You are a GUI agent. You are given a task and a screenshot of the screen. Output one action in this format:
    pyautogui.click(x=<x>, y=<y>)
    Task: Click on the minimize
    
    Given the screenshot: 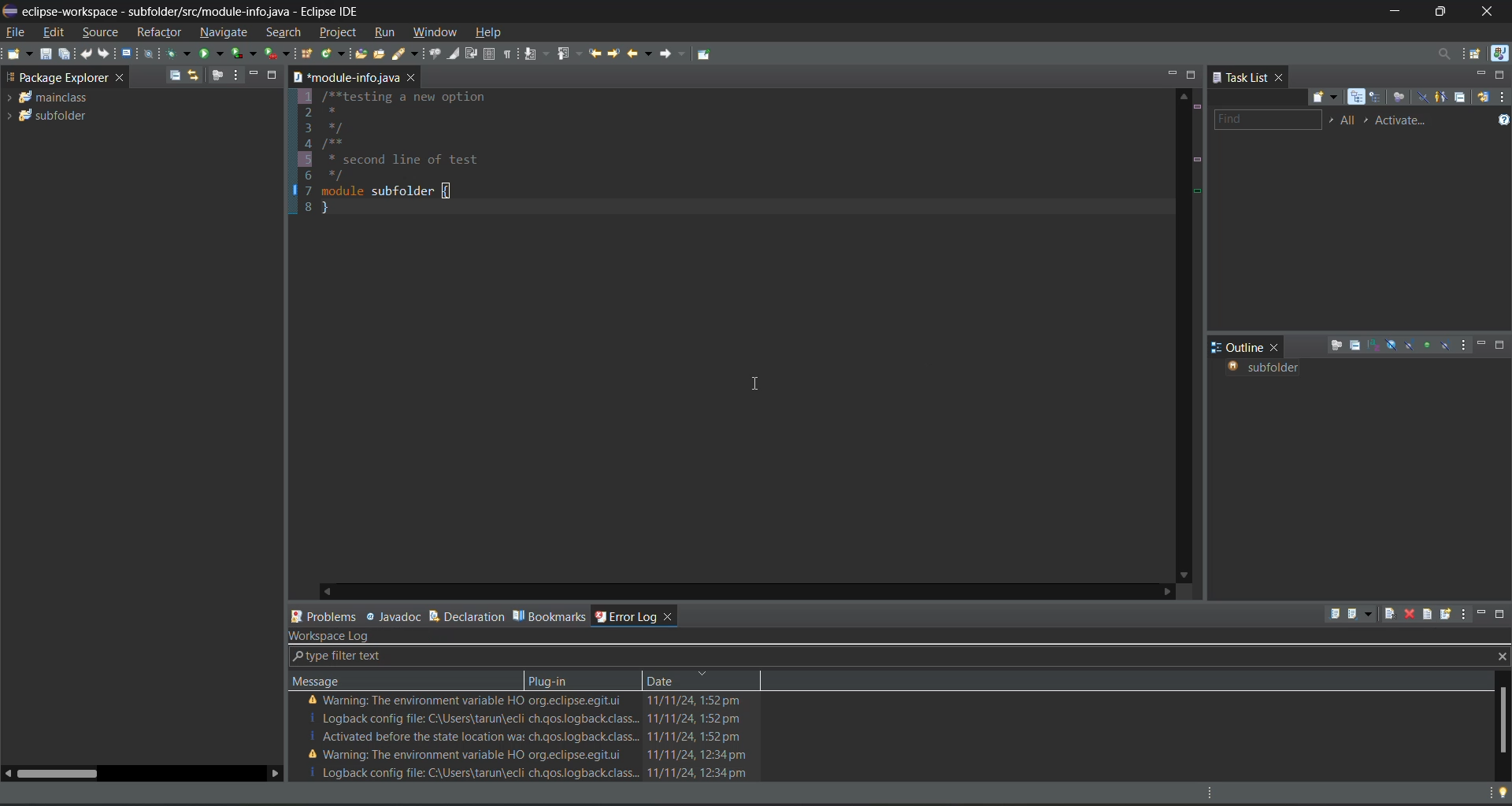 What is the action you would take?
    pyautogui.click(x=1478, y=76)
    